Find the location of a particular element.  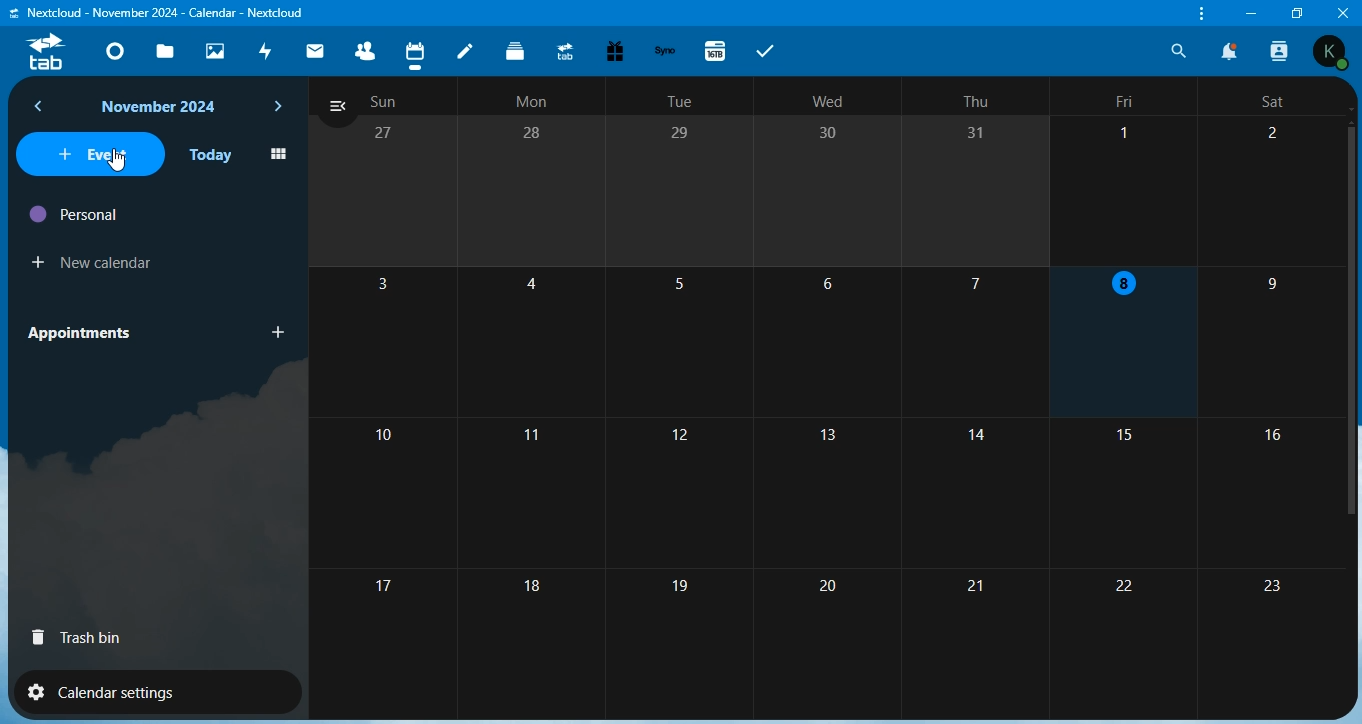

add is located at coordinates (274, 335).